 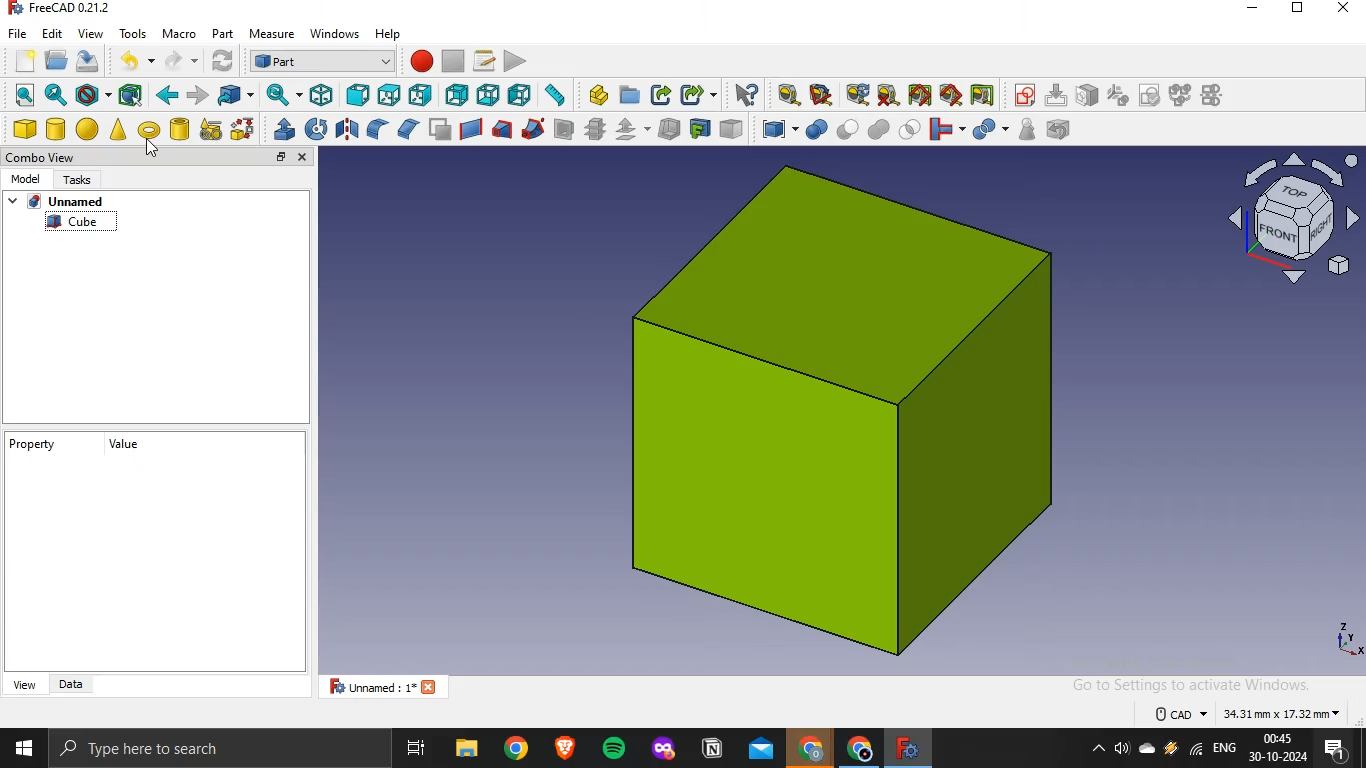 I want to click on isometric view, so click(x=322, y=94).